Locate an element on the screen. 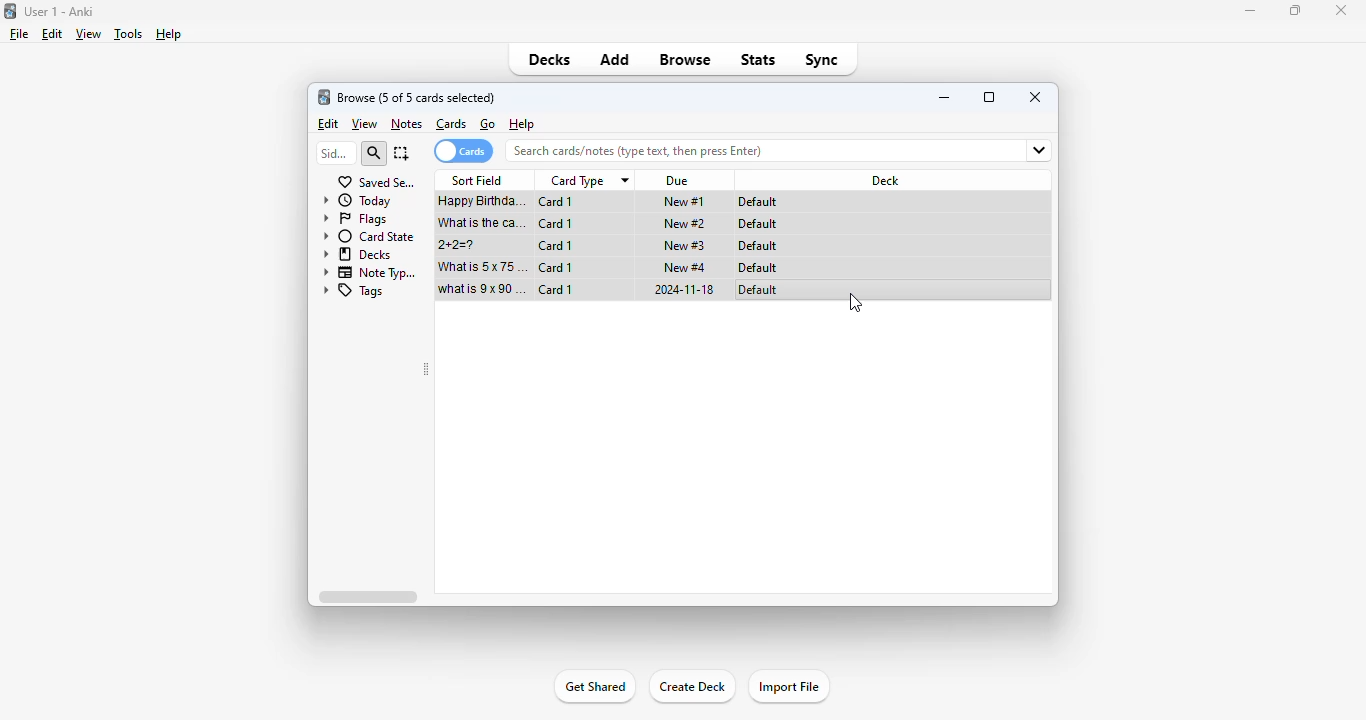 This screenshot has height=720, width=1366. logo is located at coordinates (9, 11).